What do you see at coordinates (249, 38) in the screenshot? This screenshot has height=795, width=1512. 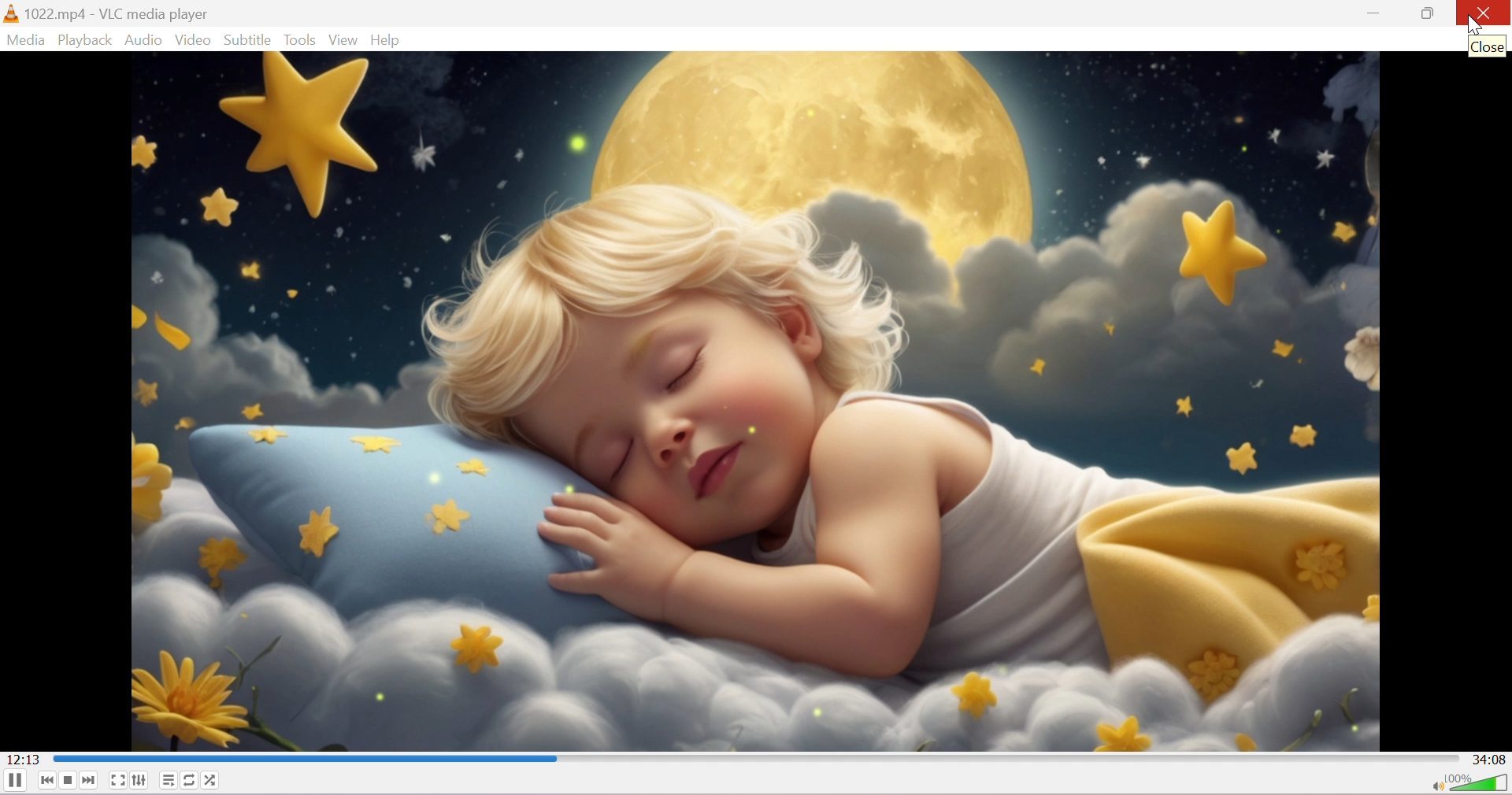 I see `Subtitle` at bounding box center [249, 38].